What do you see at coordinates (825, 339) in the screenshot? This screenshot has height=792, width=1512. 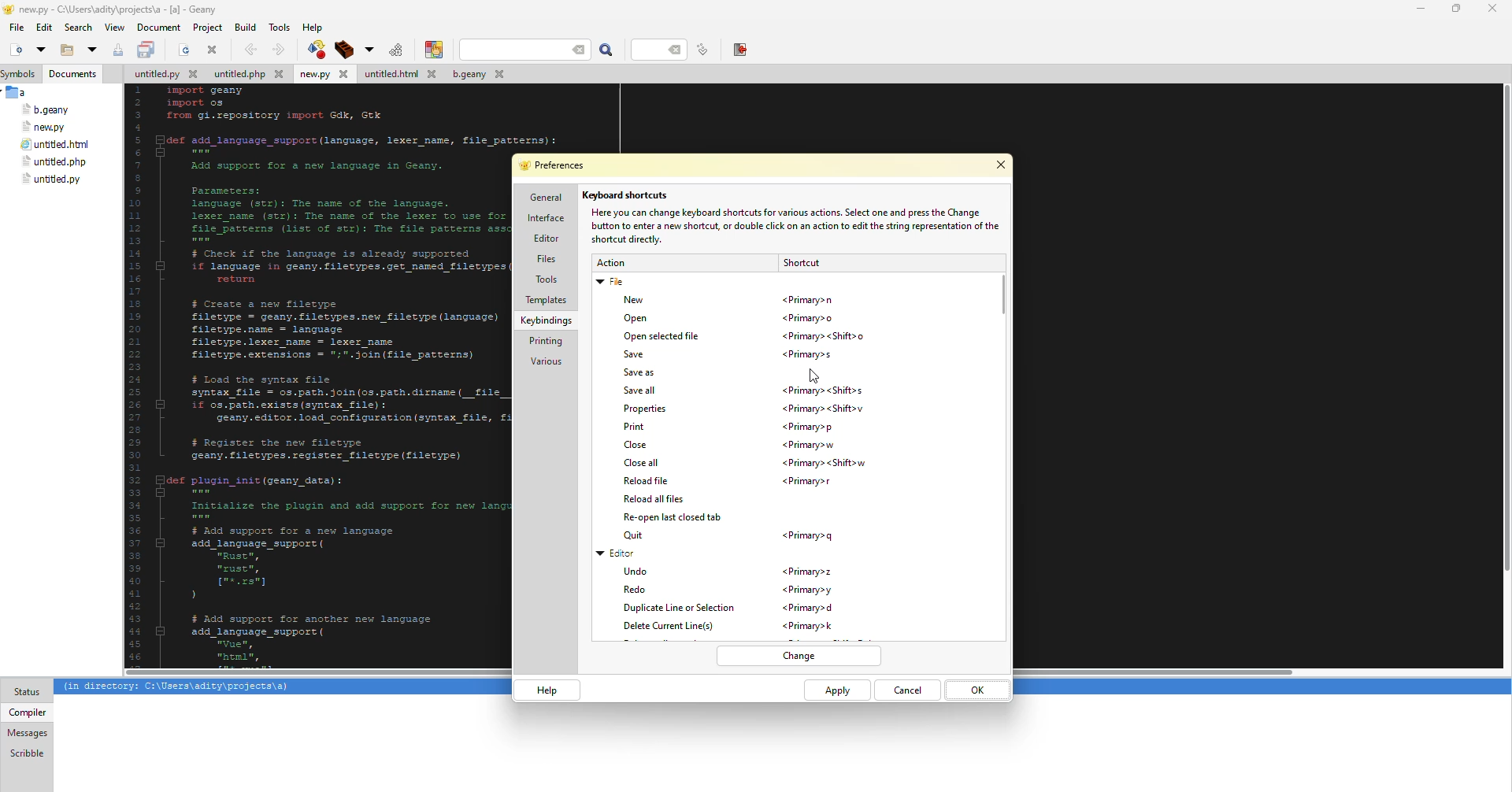 I see `shortcut` at bounding box center [825, 339].